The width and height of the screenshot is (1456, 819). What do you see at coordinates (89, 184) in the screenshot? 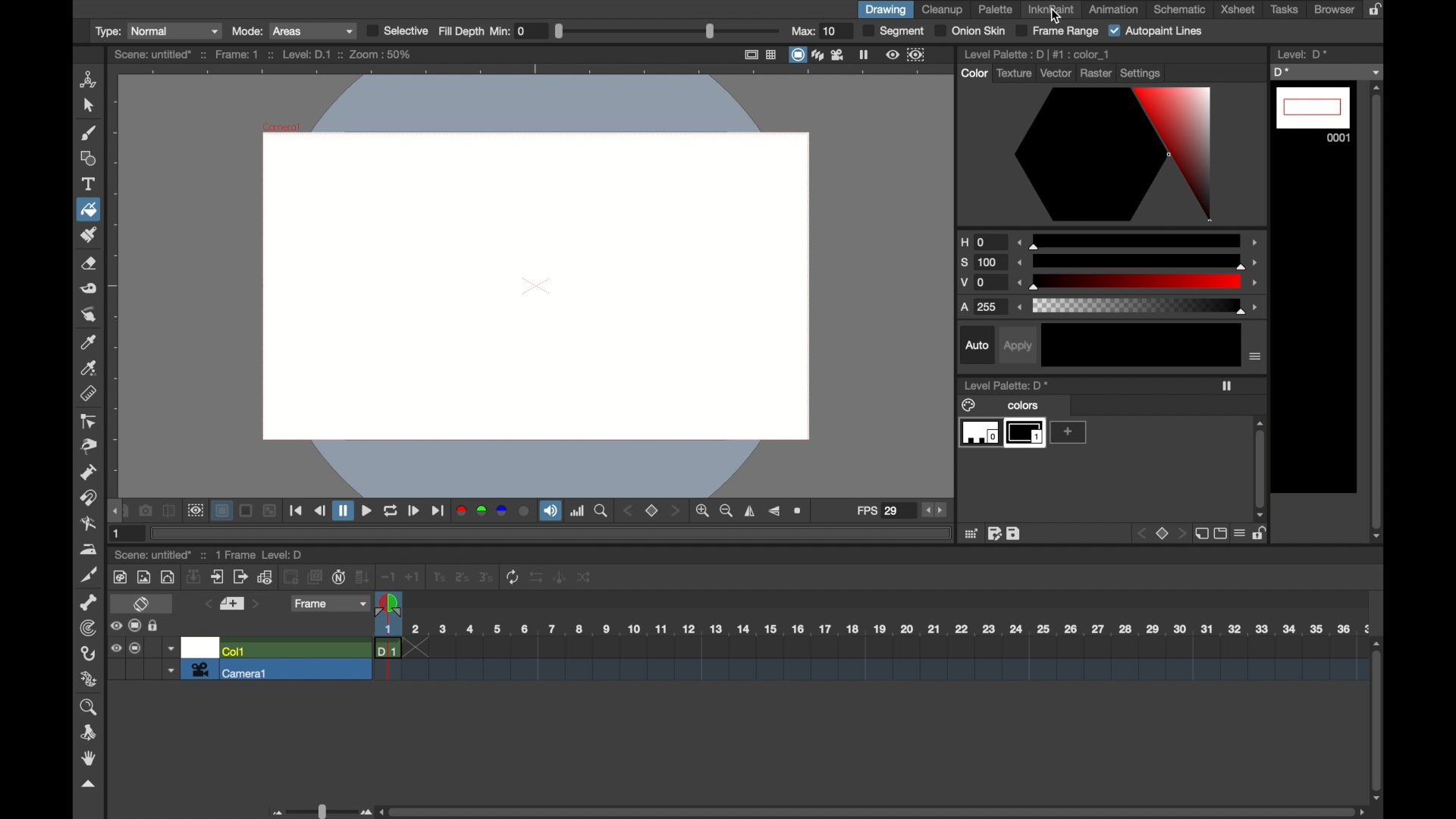
I see `type tool` at bounding box center [89, 184].